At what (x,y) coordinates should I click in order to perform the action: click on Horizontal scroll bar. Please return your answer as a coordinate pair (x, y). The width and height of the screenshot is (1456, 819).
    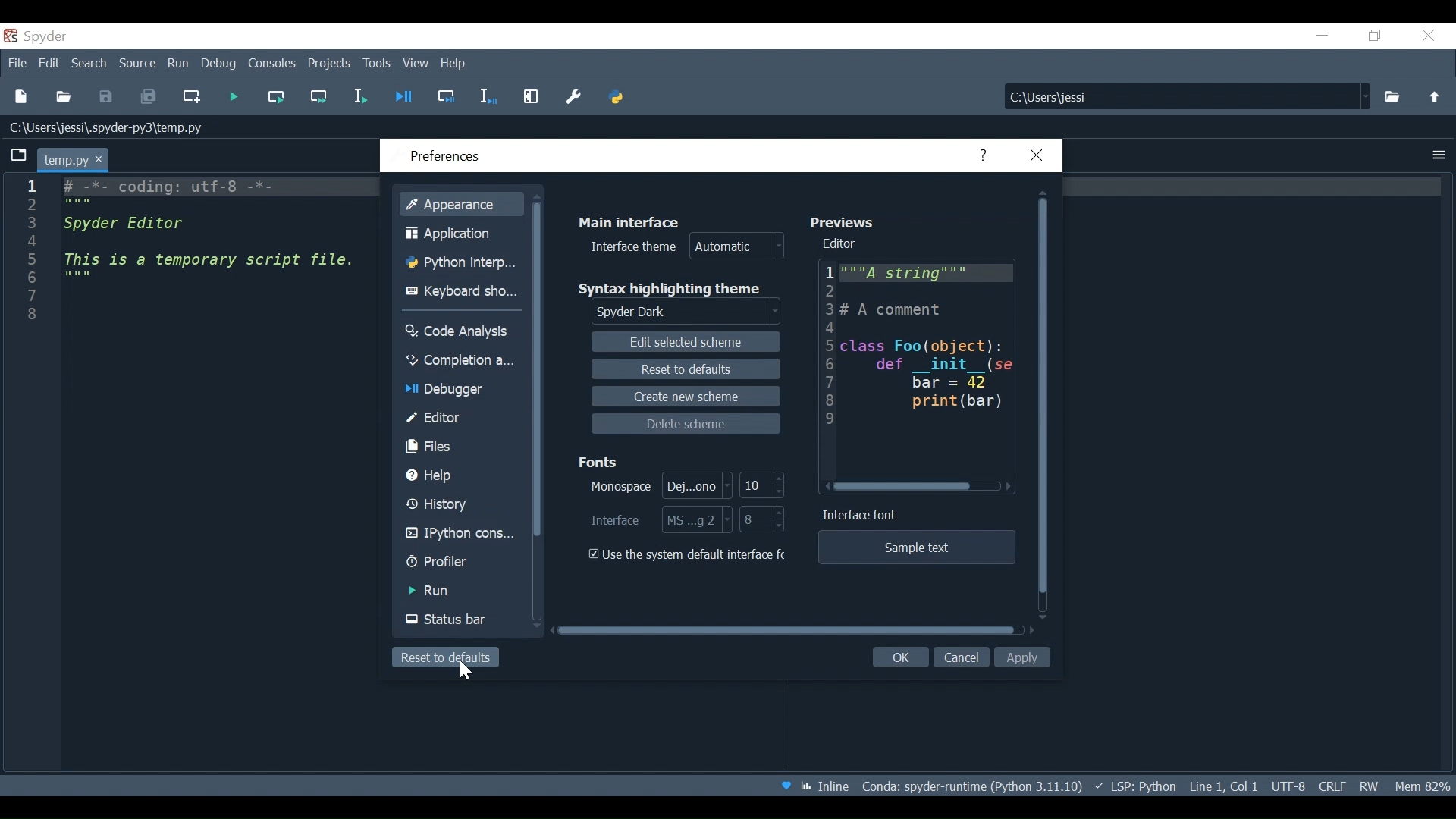
    Looking at the image, I should click on (786, 629).